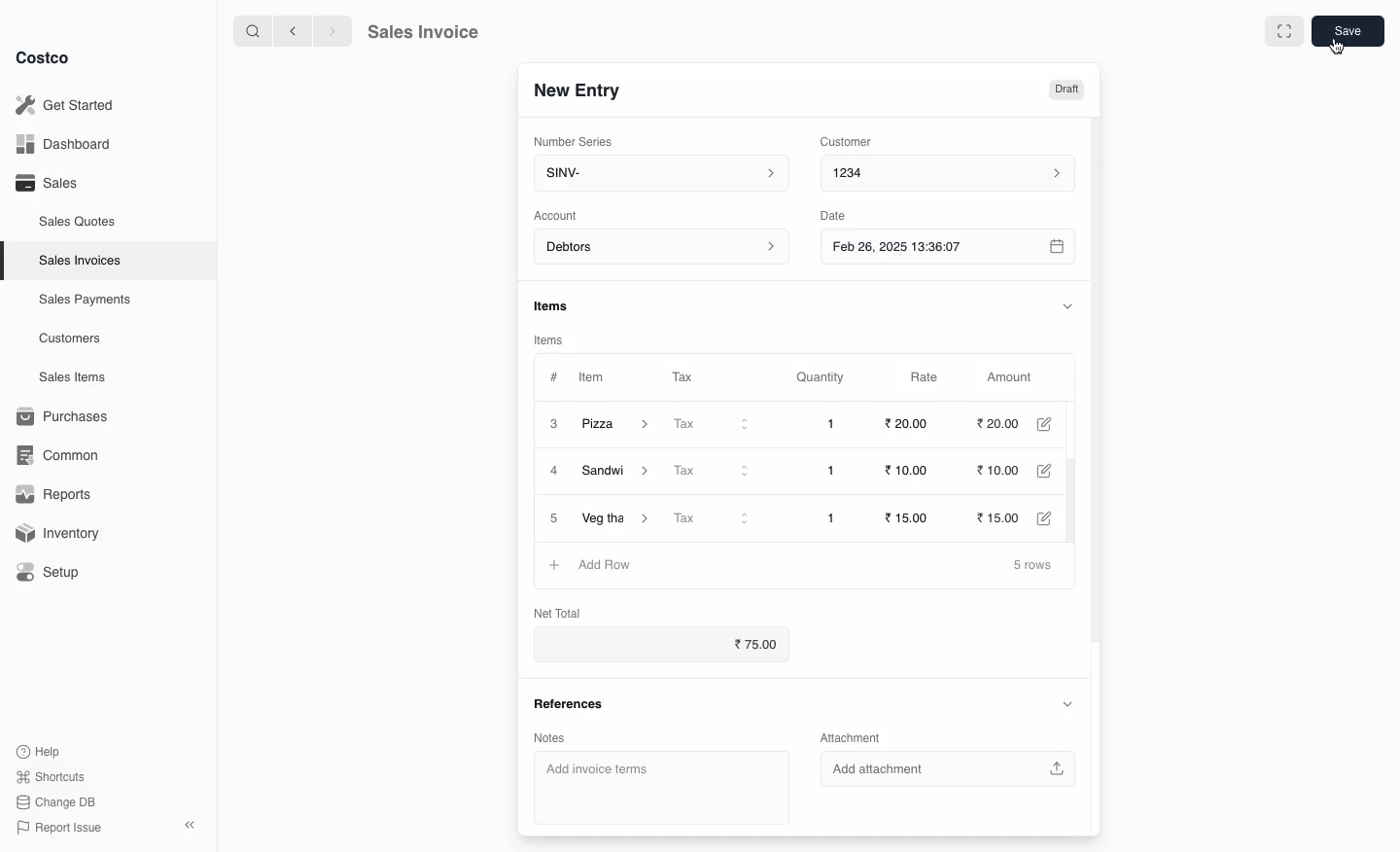 The width and height of the screenshot is (1400, 852). I want to click on 20.00, so click(1000, 424).